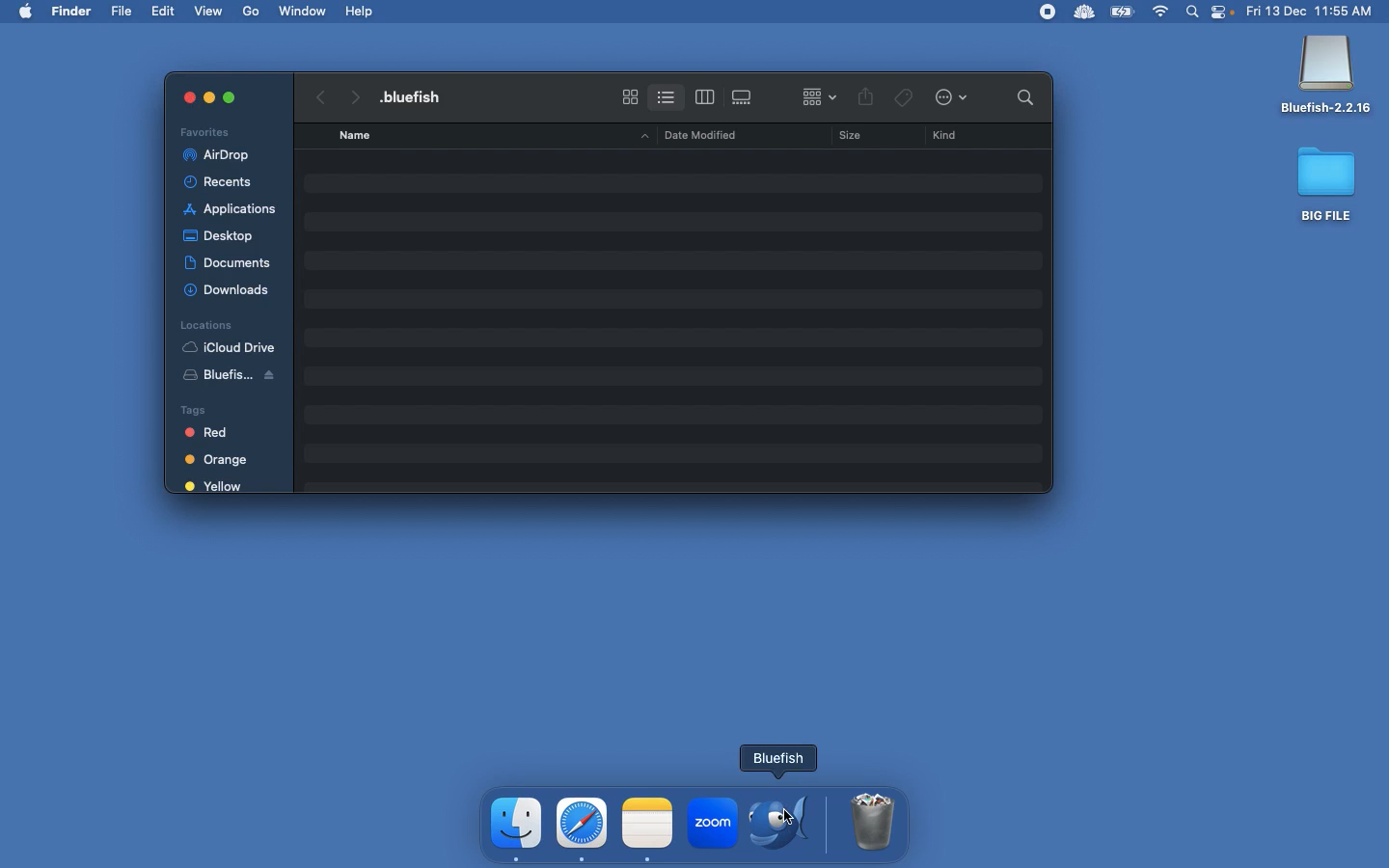 The height and width of the screenshot is (868, 1389). Describe the element at coordinates (230, 289) in the screenshot. I see `Downloads` at that location.